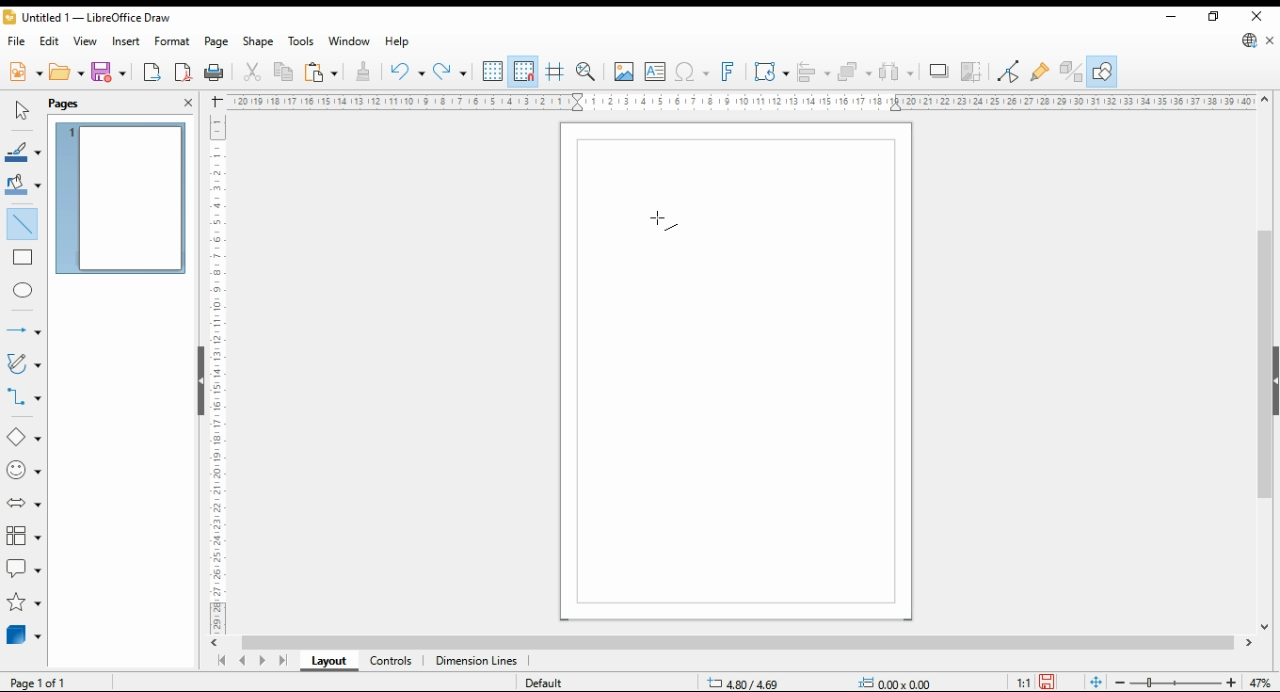  Describe the element at coordinates (126, 41) in the screenshot. I see `insert` at that location.